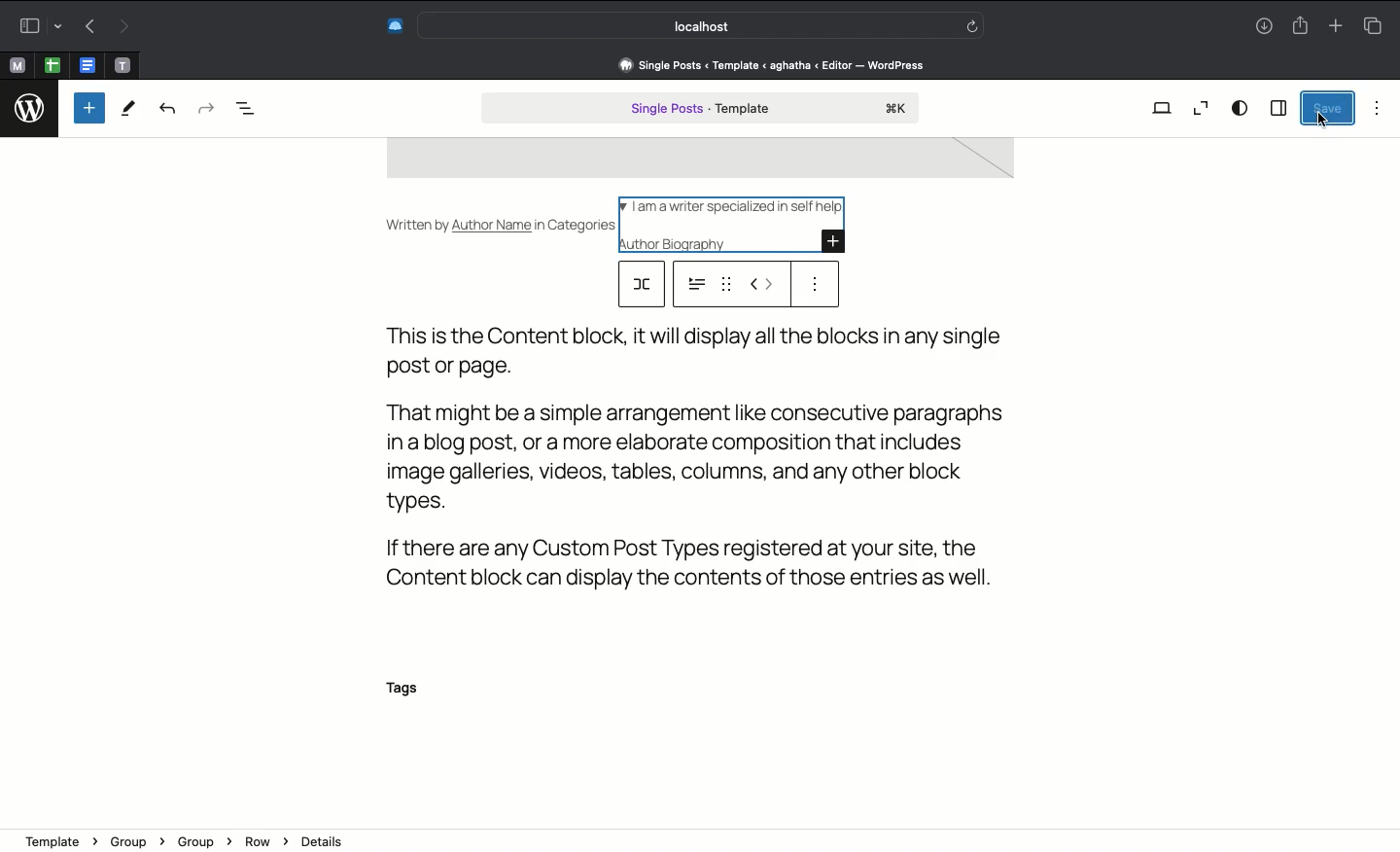 Image resolution: width=1400 pixels, height=852 pixels. I want to click on options, so click(691, 286).